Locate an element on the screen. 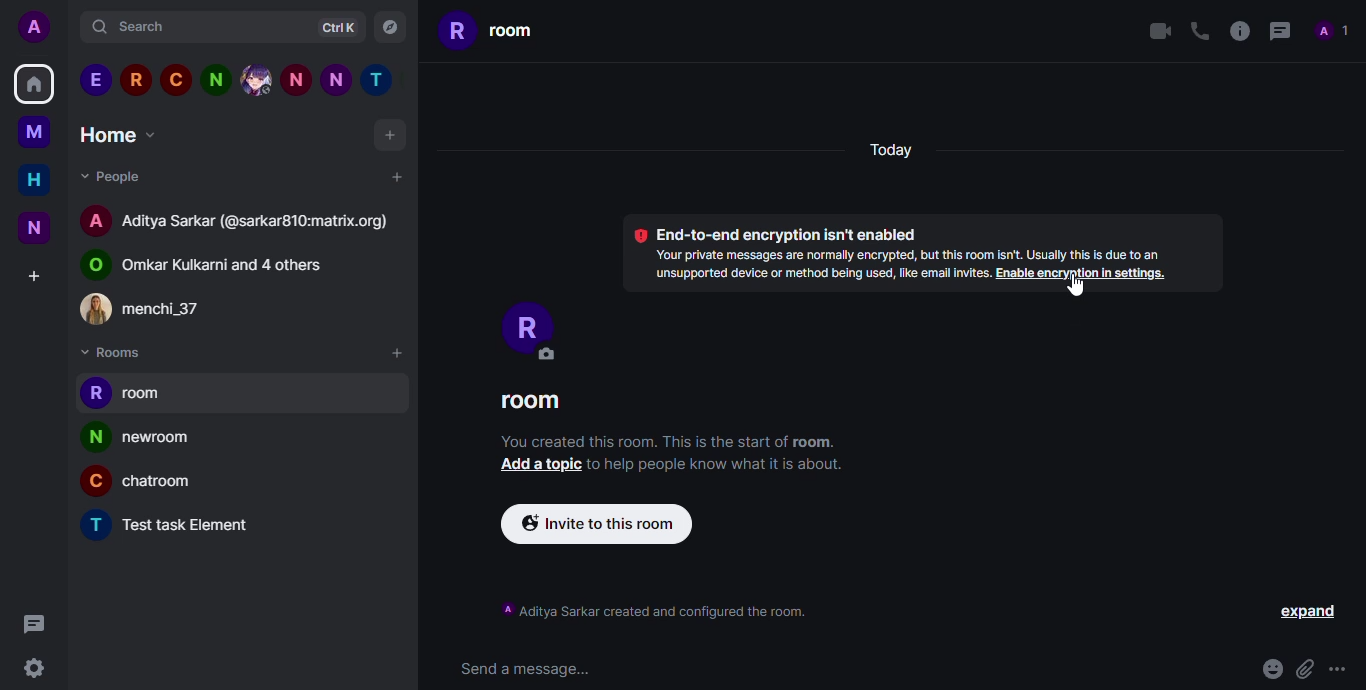  navigator is located at coordinates (391, 28).